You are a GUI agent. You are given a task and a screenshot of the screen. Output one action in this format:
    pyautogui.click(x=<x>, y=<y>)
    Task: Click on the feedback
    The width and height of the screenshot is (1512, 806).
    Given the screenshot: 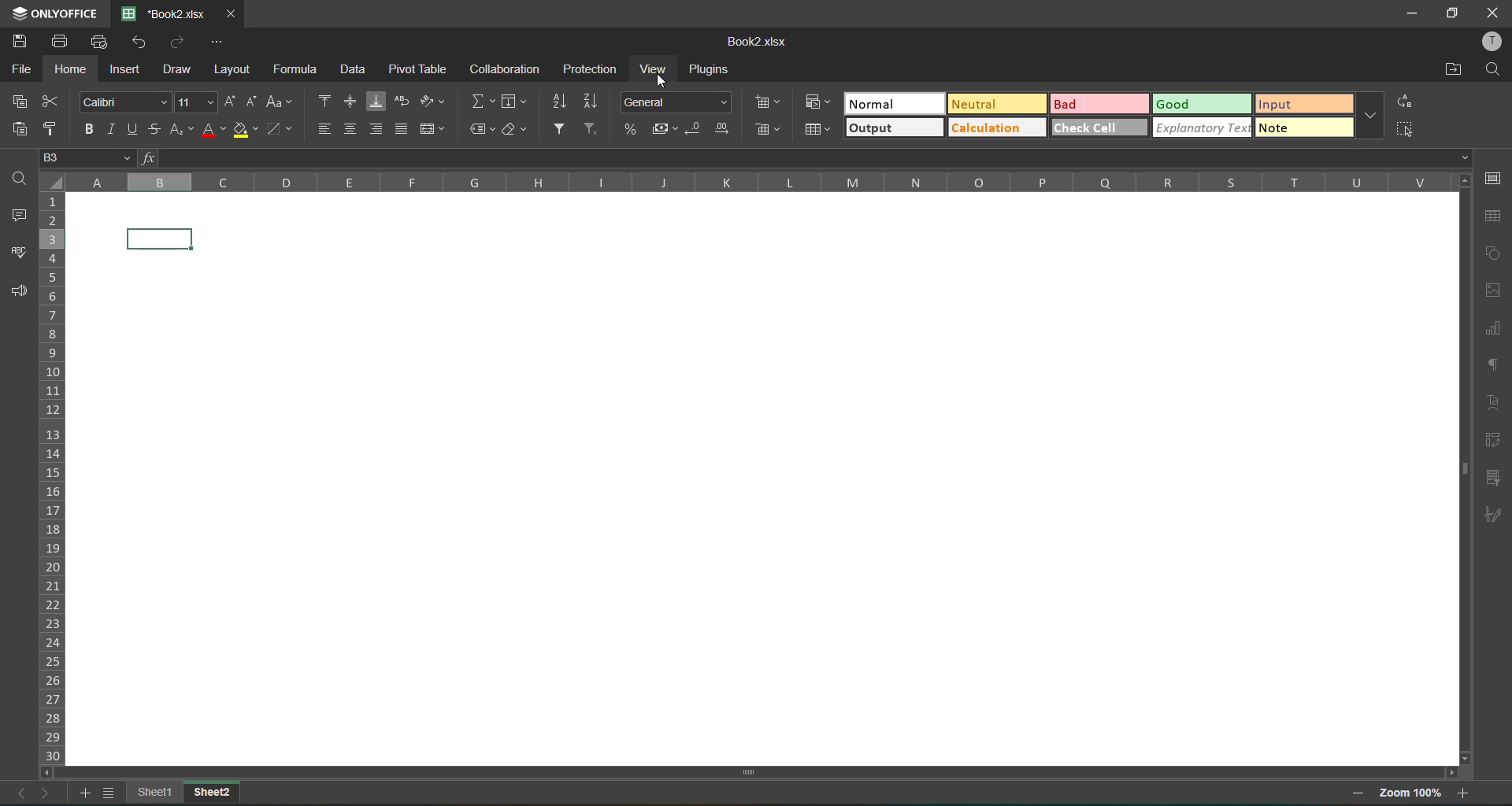 What is the action you would take?
    pyautogui.click(x=19, y=294)
    